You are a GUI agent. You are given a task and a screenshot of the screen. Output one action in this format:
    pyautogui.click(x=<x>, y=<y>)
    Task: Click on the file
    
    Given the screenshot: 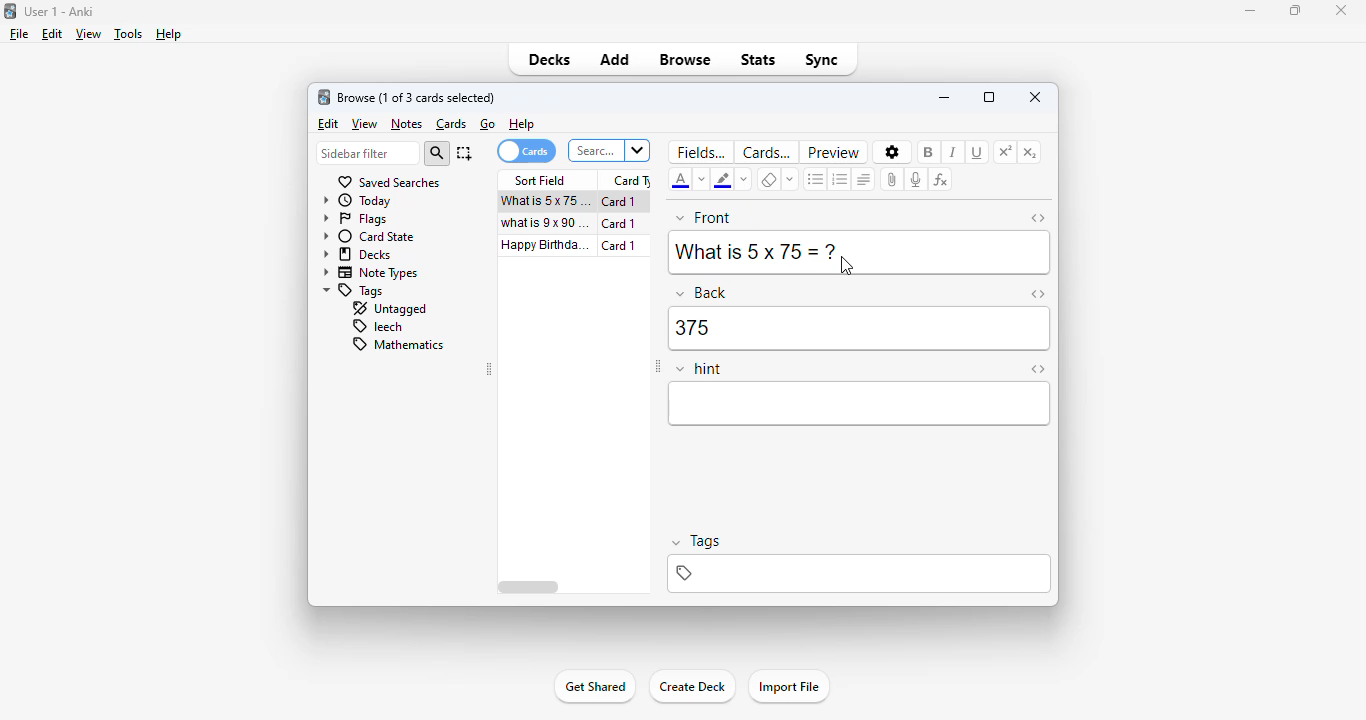 What is the action you would take?
    pyautogui.click(x=20, y=34)
    